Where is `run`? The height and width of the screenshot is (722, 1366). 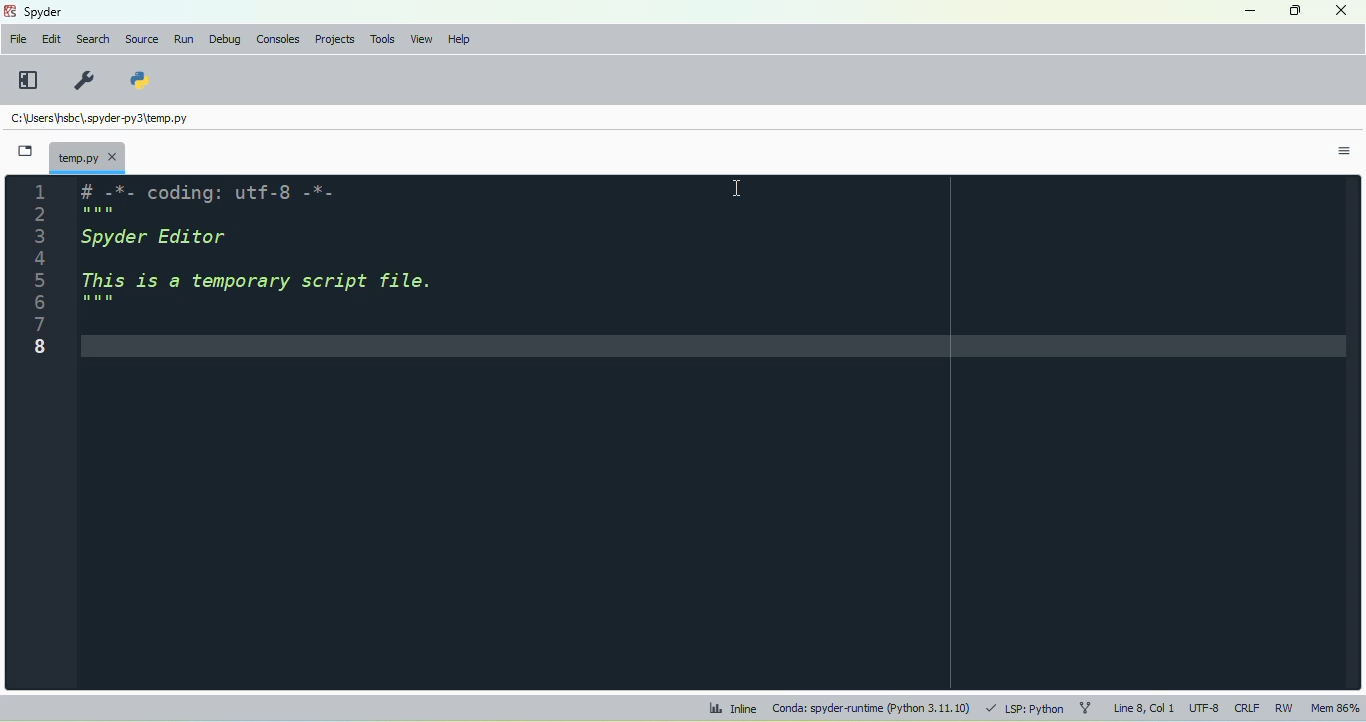
run is located at coordinates (186, 40).